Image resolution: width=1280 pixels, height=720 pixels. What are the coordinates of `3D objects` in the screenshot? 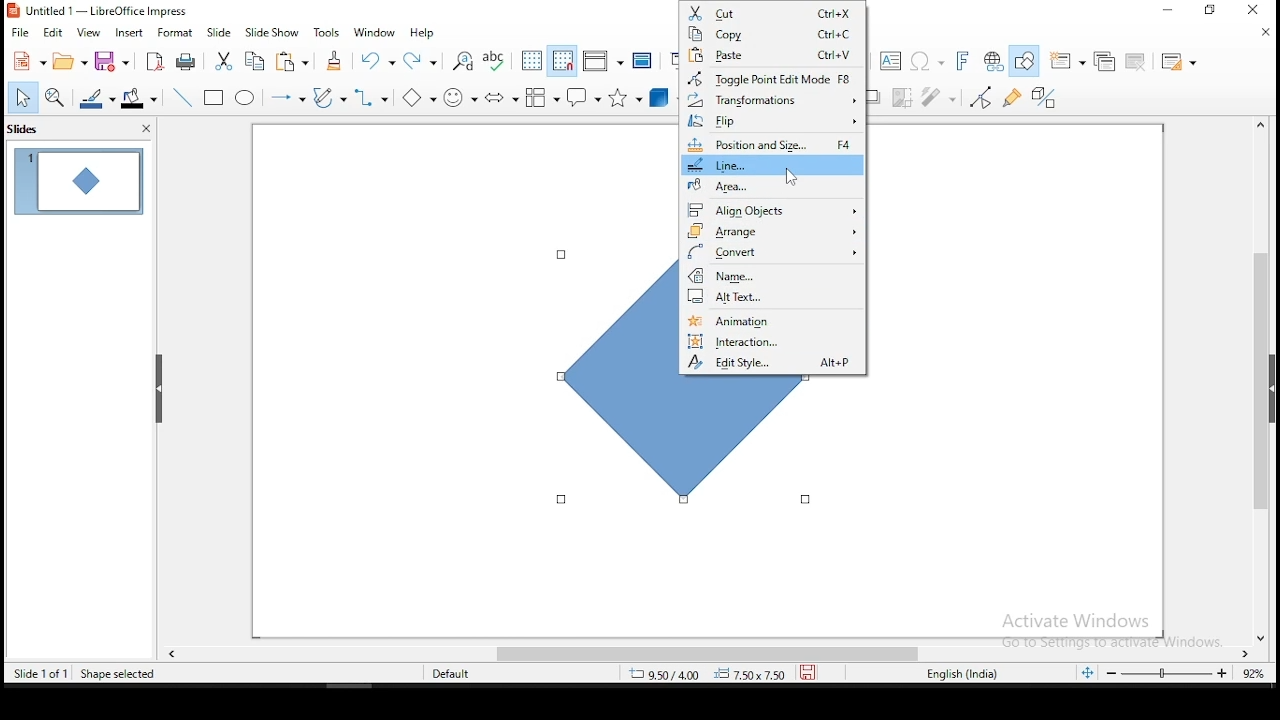 It's located at (664, 96).